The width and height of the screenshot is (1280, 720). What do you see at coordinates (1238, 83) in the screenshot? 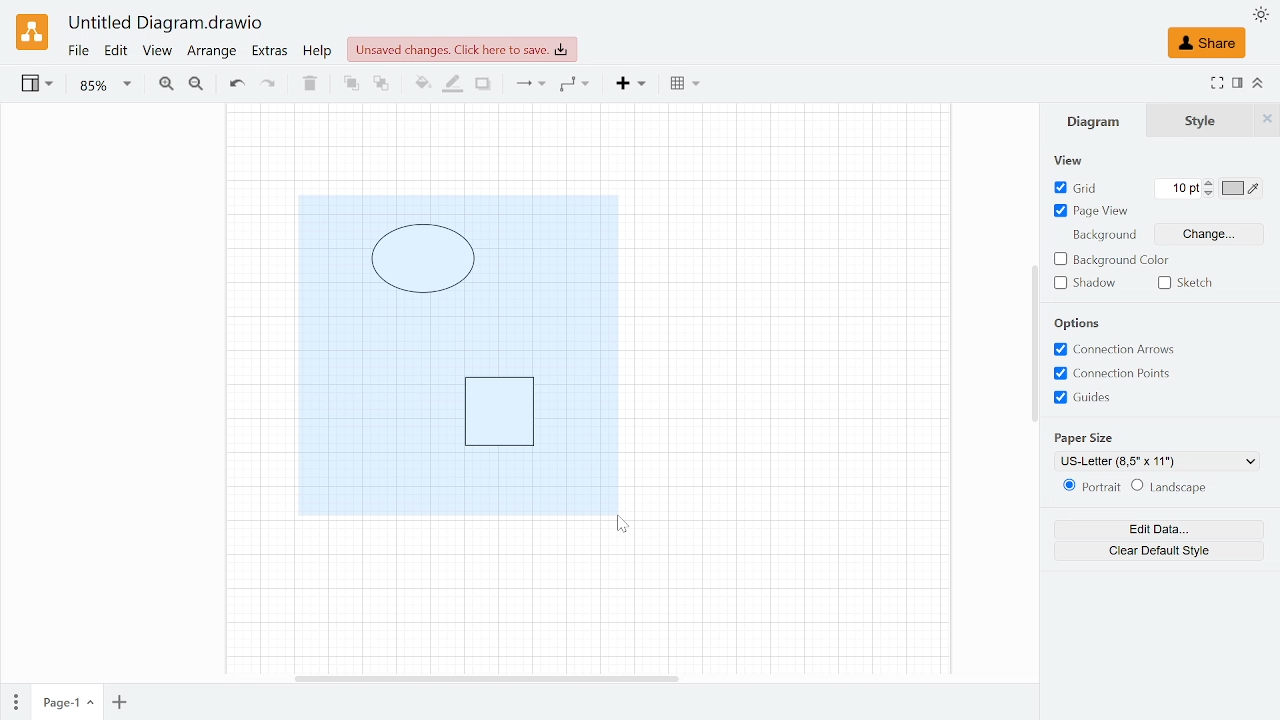
I see `Format` at bounding box center [1238, 83].